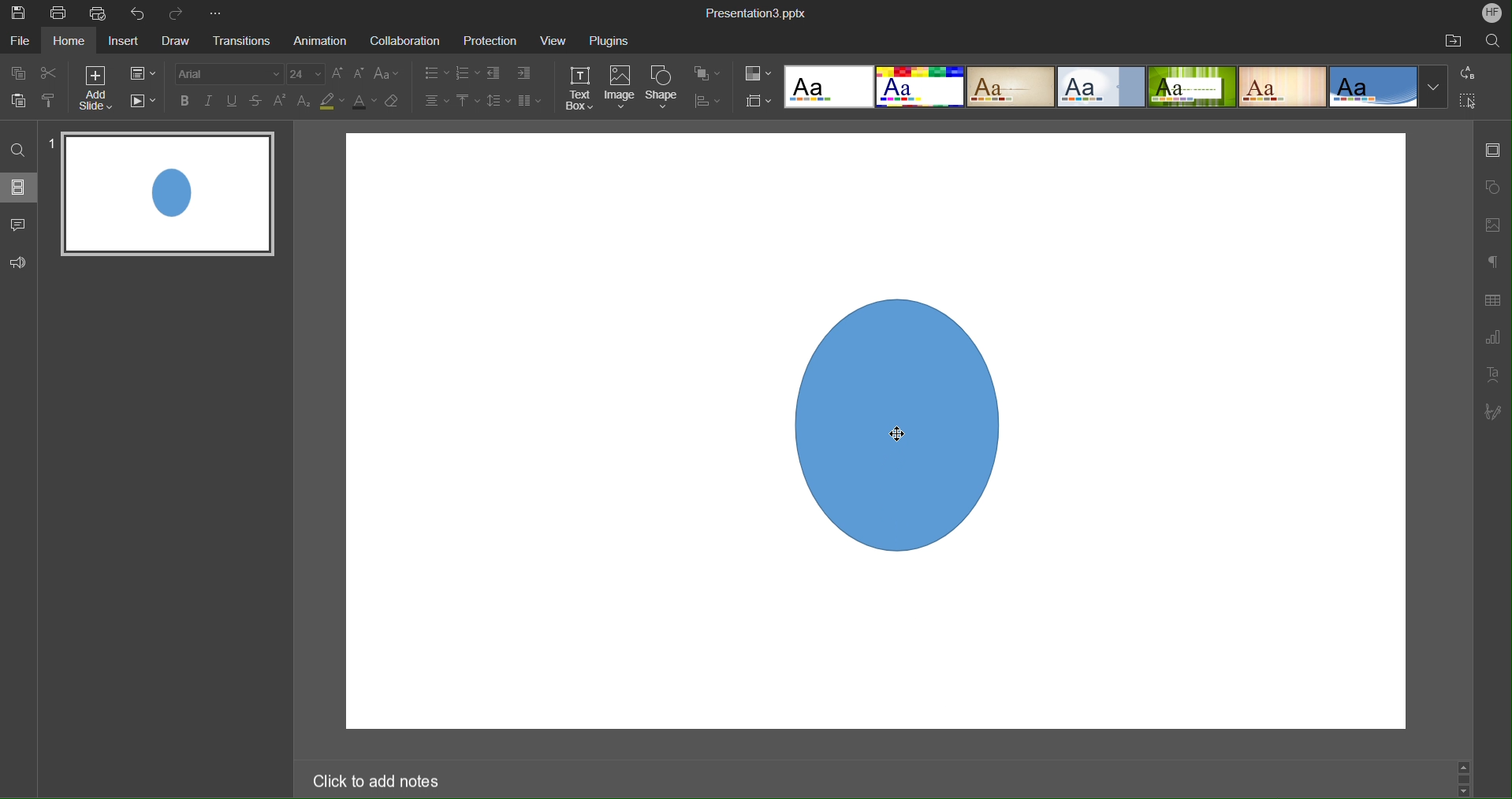 This screenshot has height=799, width=1512. What do you see at coordinates (125, 43) in the screenshot?
I see `Insert` at bounding box center [125, 43].